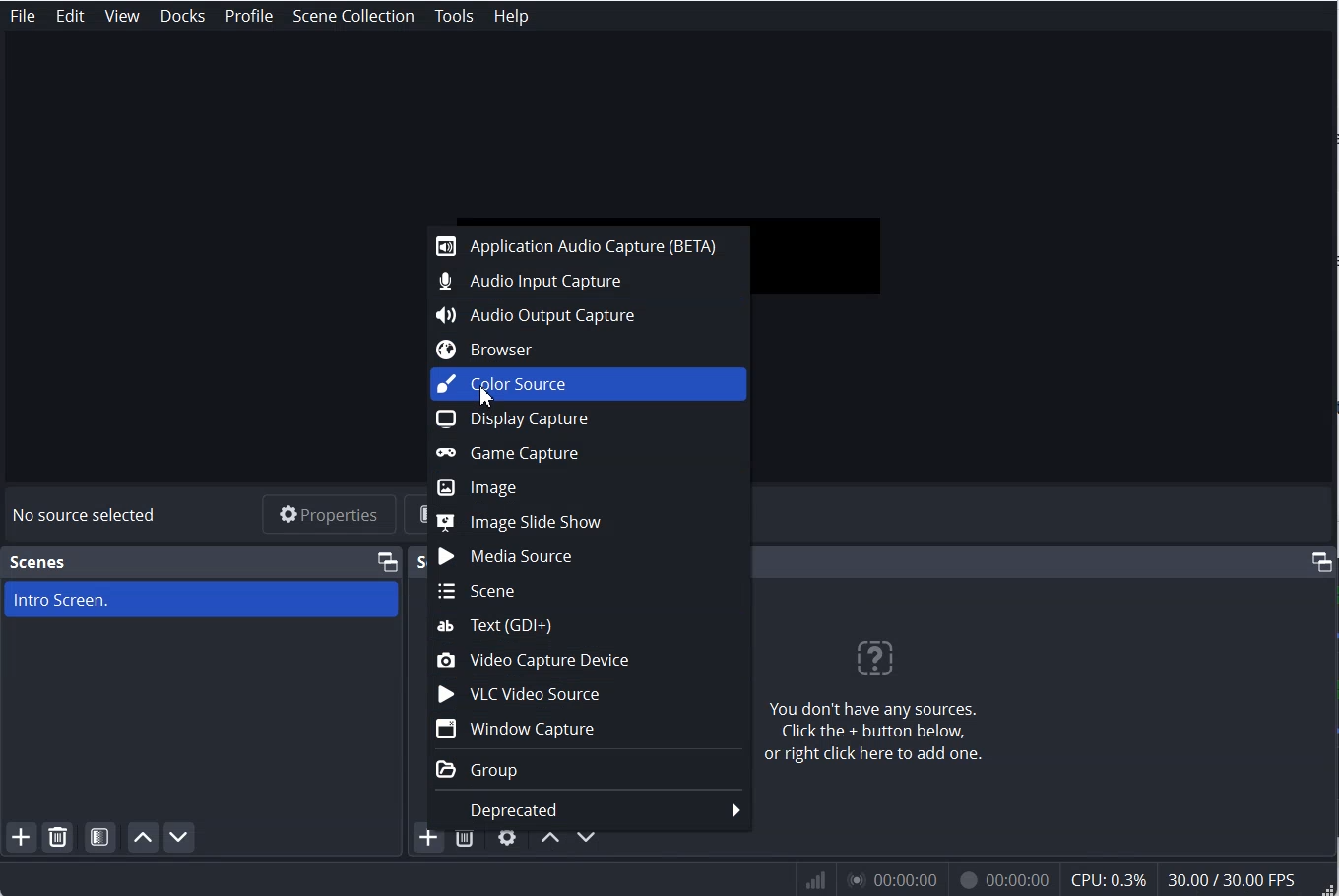 The image size is (1339, 896). Describe the element at coordinates (589, 488) in the screenshot. I see `Image` at that location.